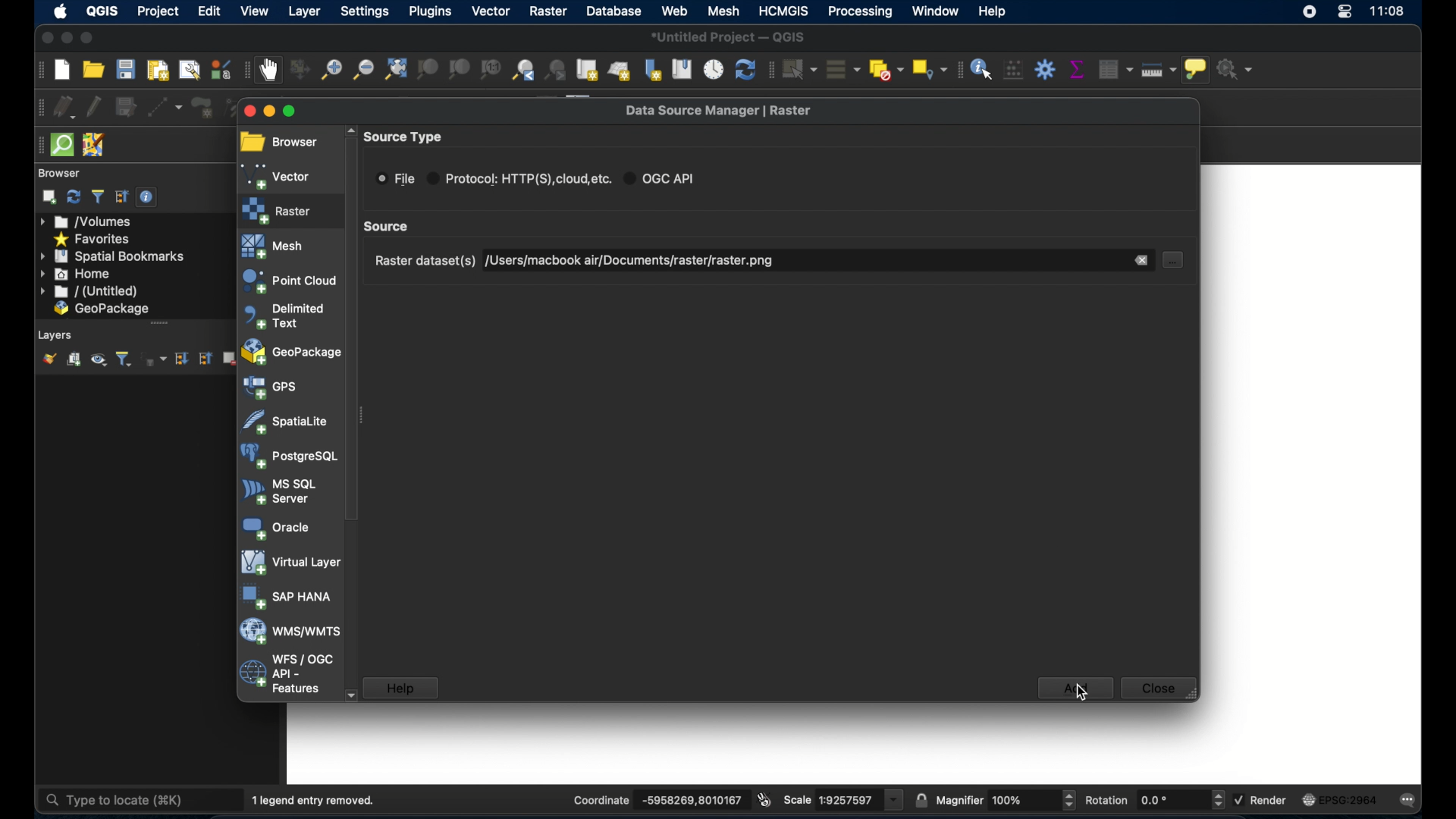  What do you see at coordinates (616, 12) in the screenshot?
I see `database` at bounding box center [616, 12].